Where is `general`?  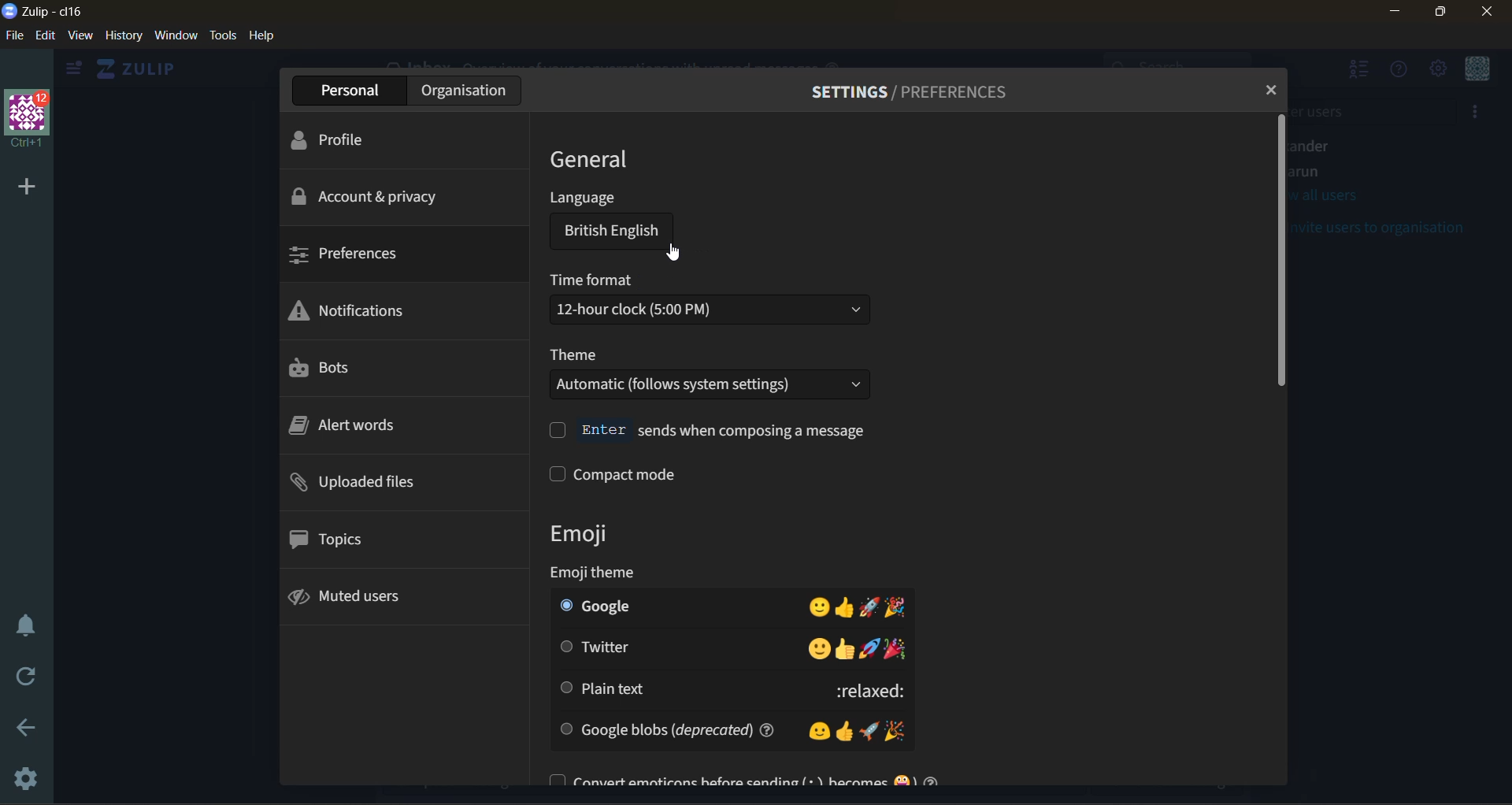 general is located at coordinates (617, 161).